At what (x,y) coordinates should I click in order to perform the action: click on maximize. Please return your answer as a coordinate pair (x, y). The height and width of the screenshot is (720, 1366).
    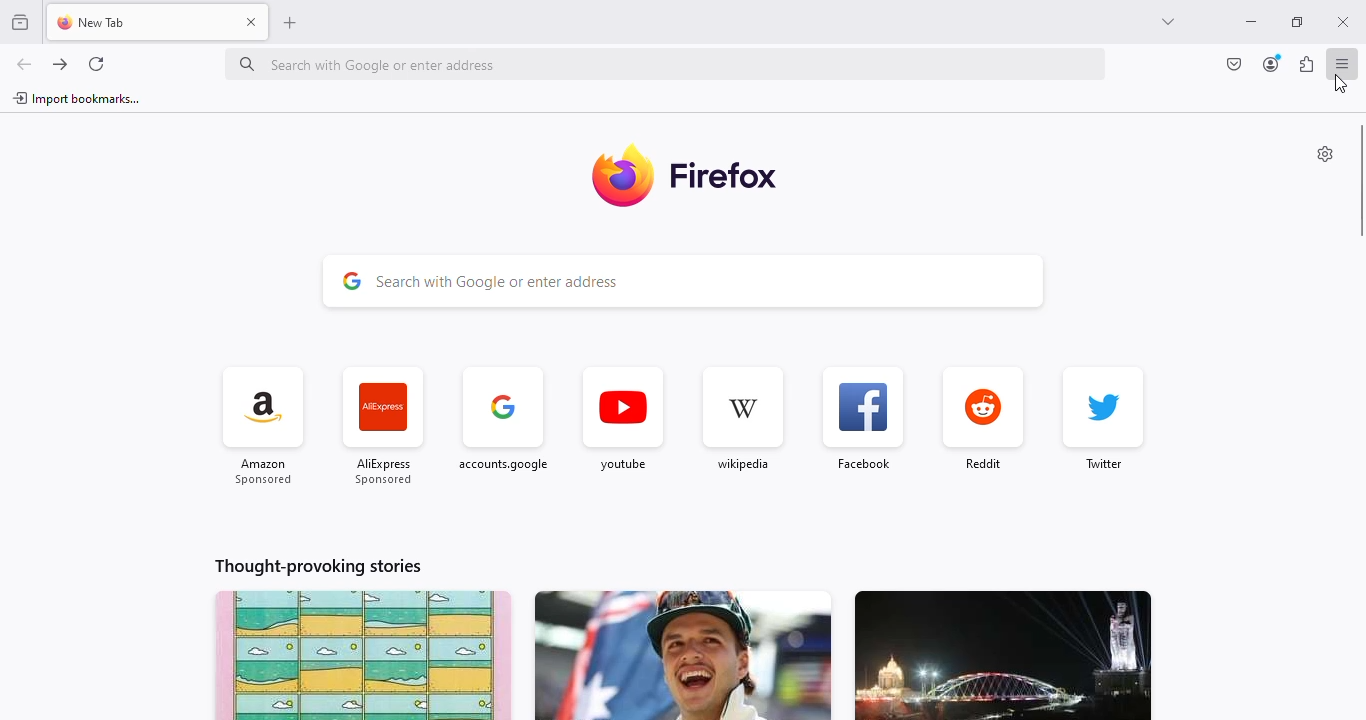
    Looking at the image, I should click on (1298, 22).